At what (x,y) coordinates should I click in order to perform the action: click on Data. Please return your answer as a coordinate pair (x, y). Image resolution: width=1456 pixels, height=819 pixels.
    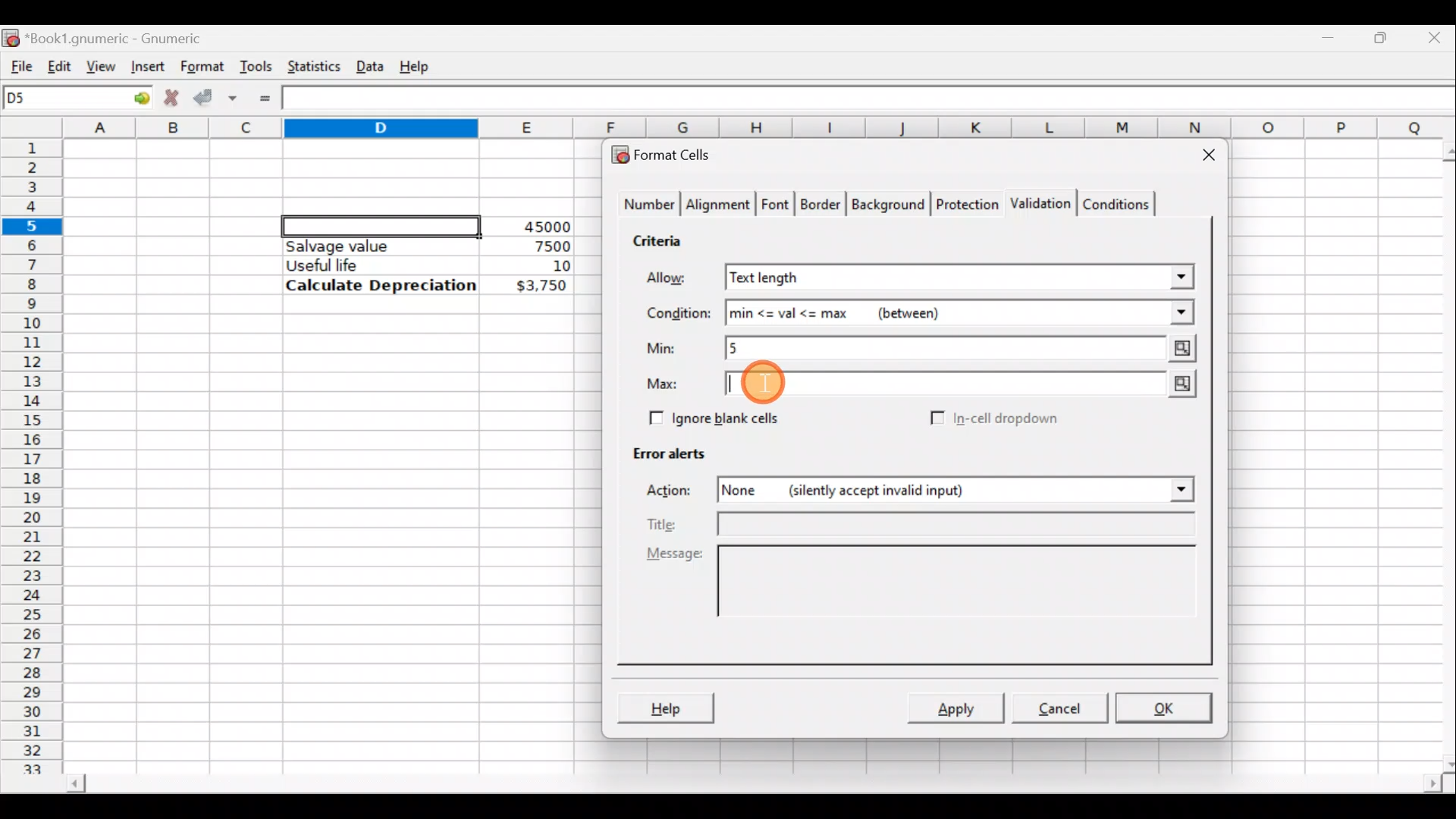
    Looking at the image, I should click on (369, 63).